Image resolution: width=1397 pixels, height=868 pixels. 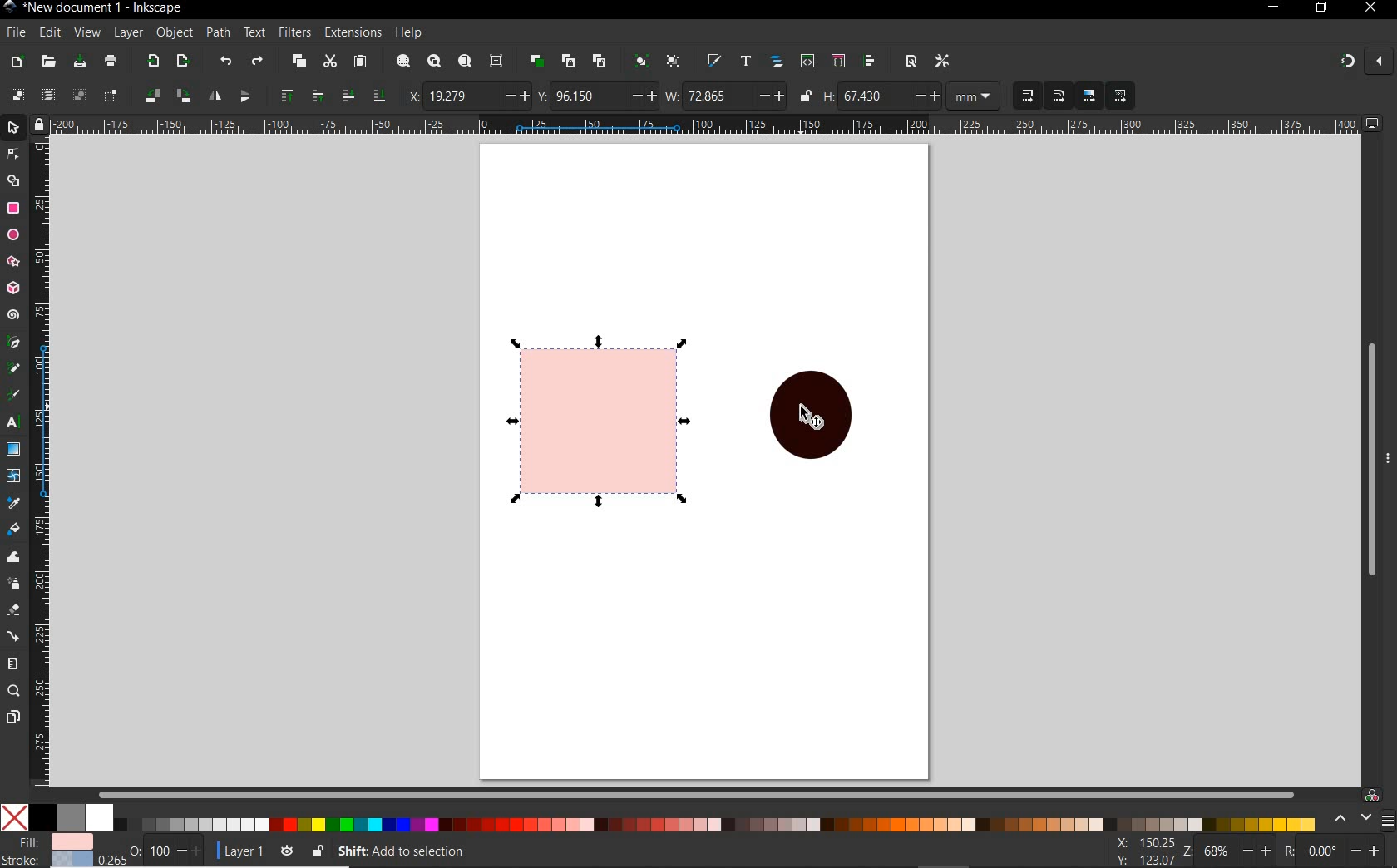 I want to click on file &stroke, so click(x=48, y=850).